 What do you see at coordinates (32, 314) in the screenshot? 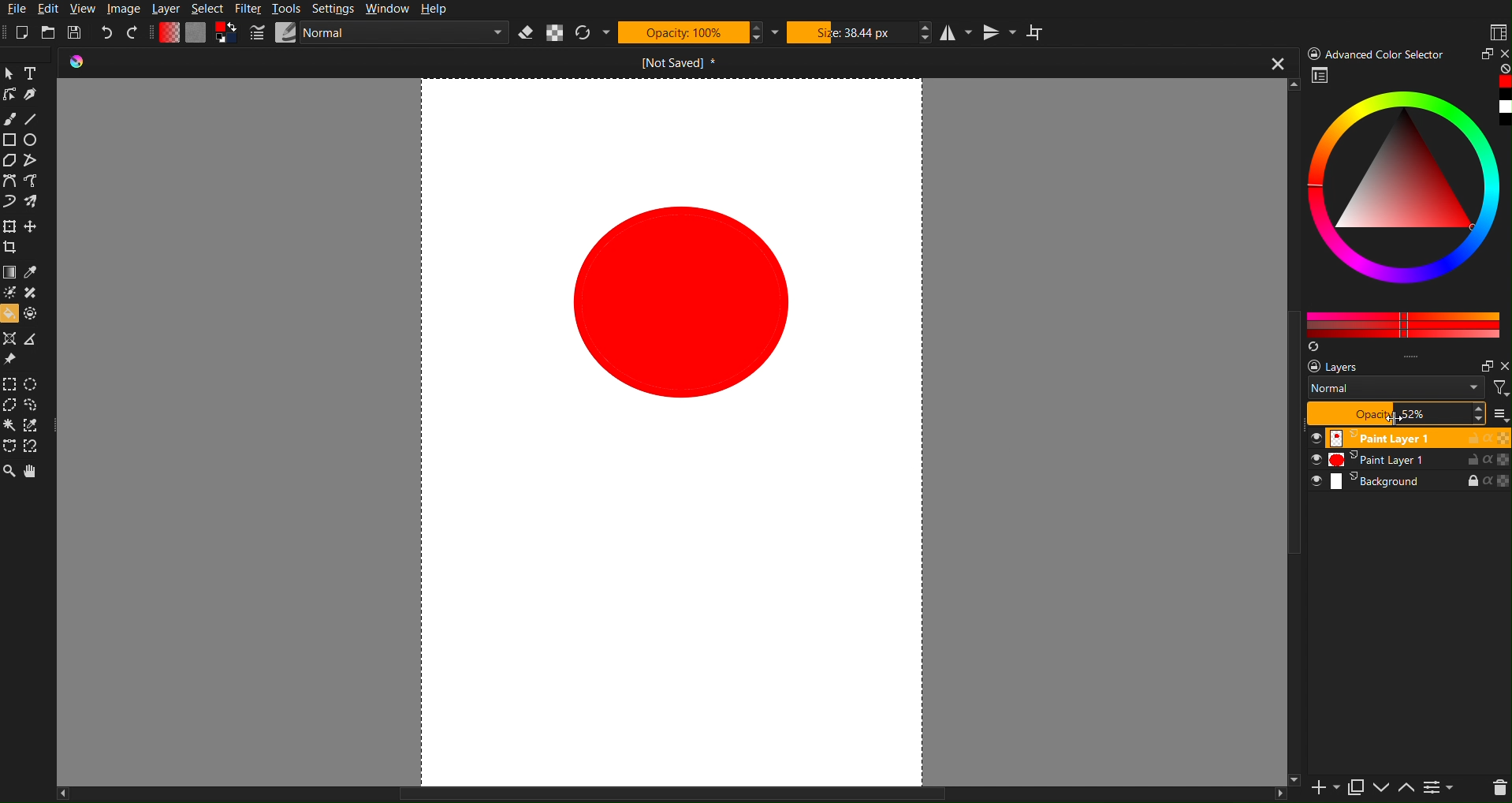
I see `Enclose & Fill` at bounding box center [32, 314].